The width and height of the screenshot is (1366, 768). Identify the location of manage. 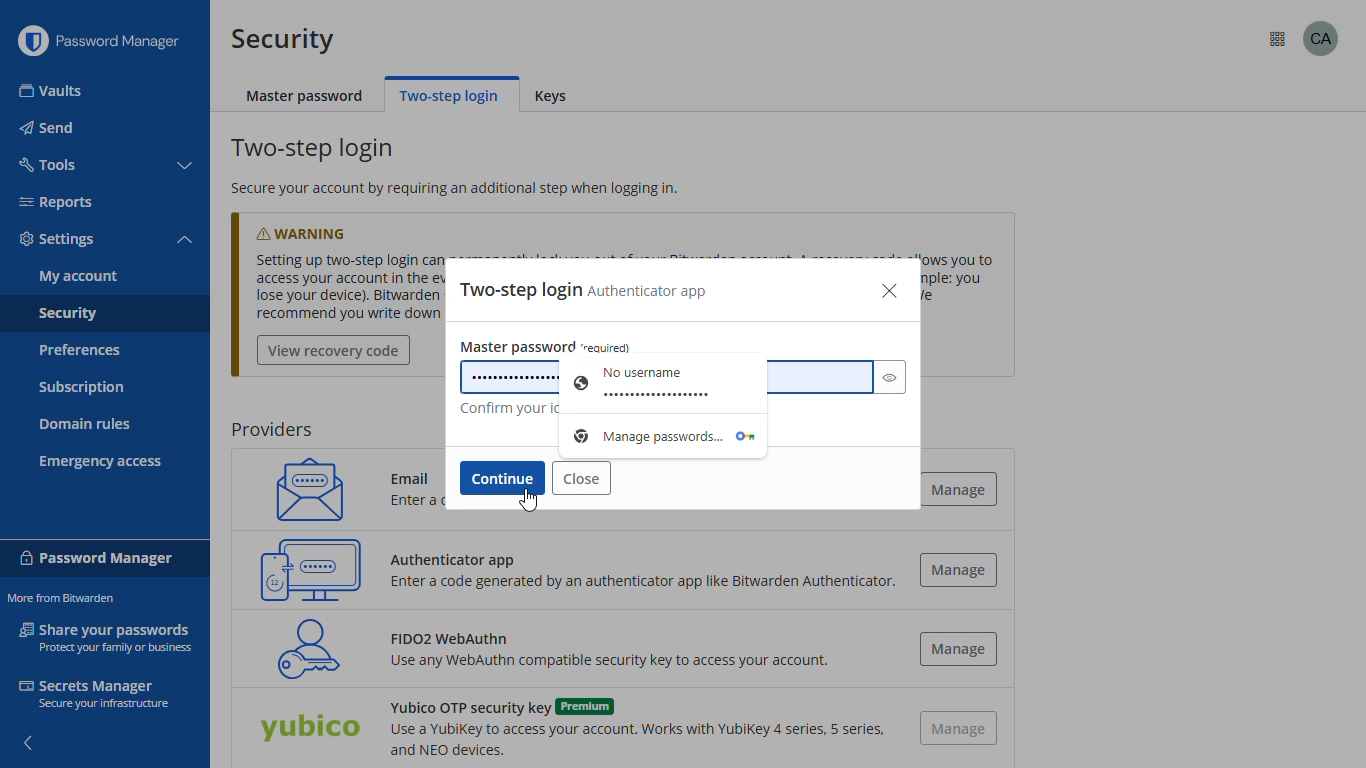
(962, 488).